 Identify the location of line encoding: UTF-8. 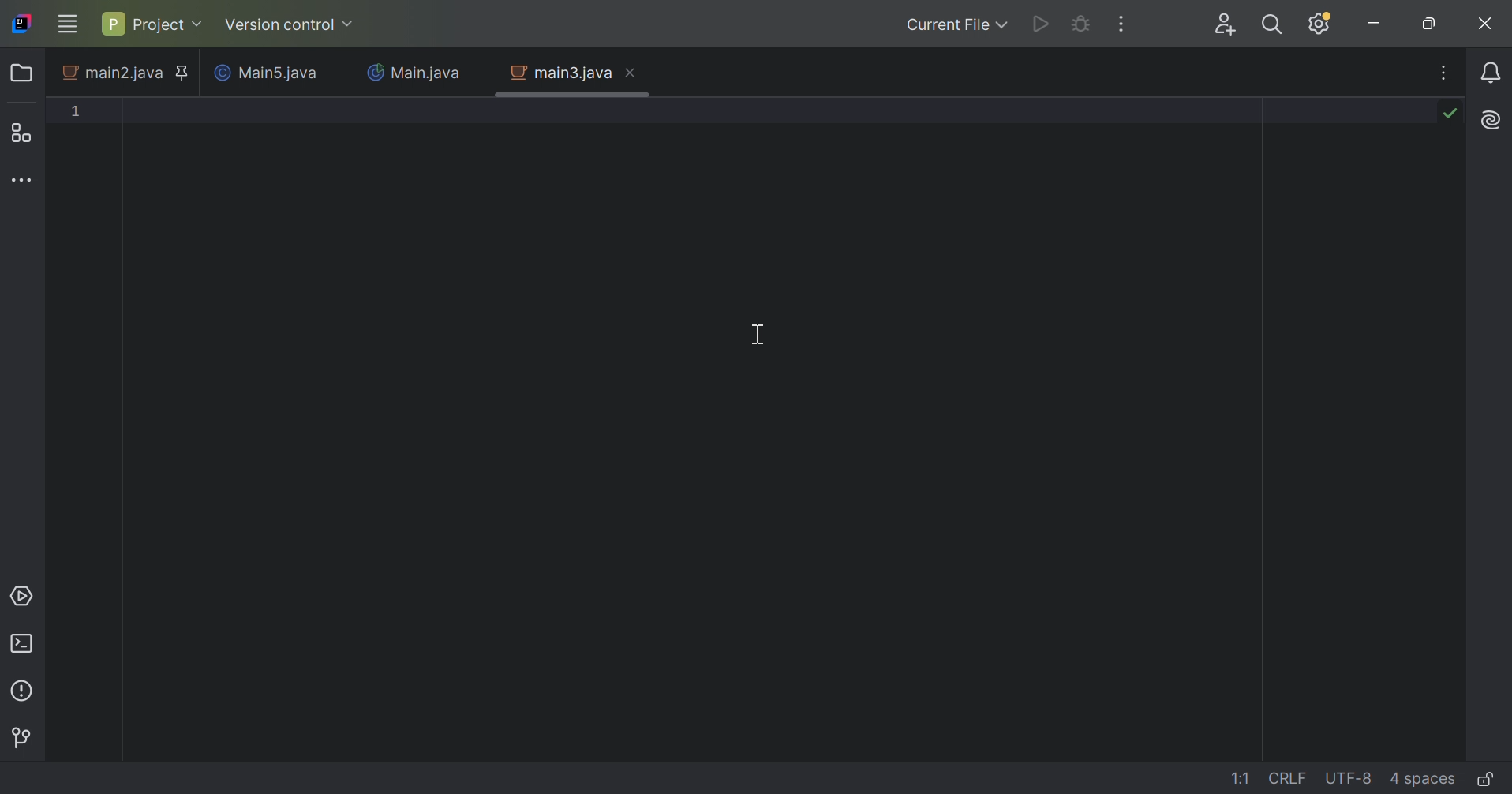
(1349, 778).